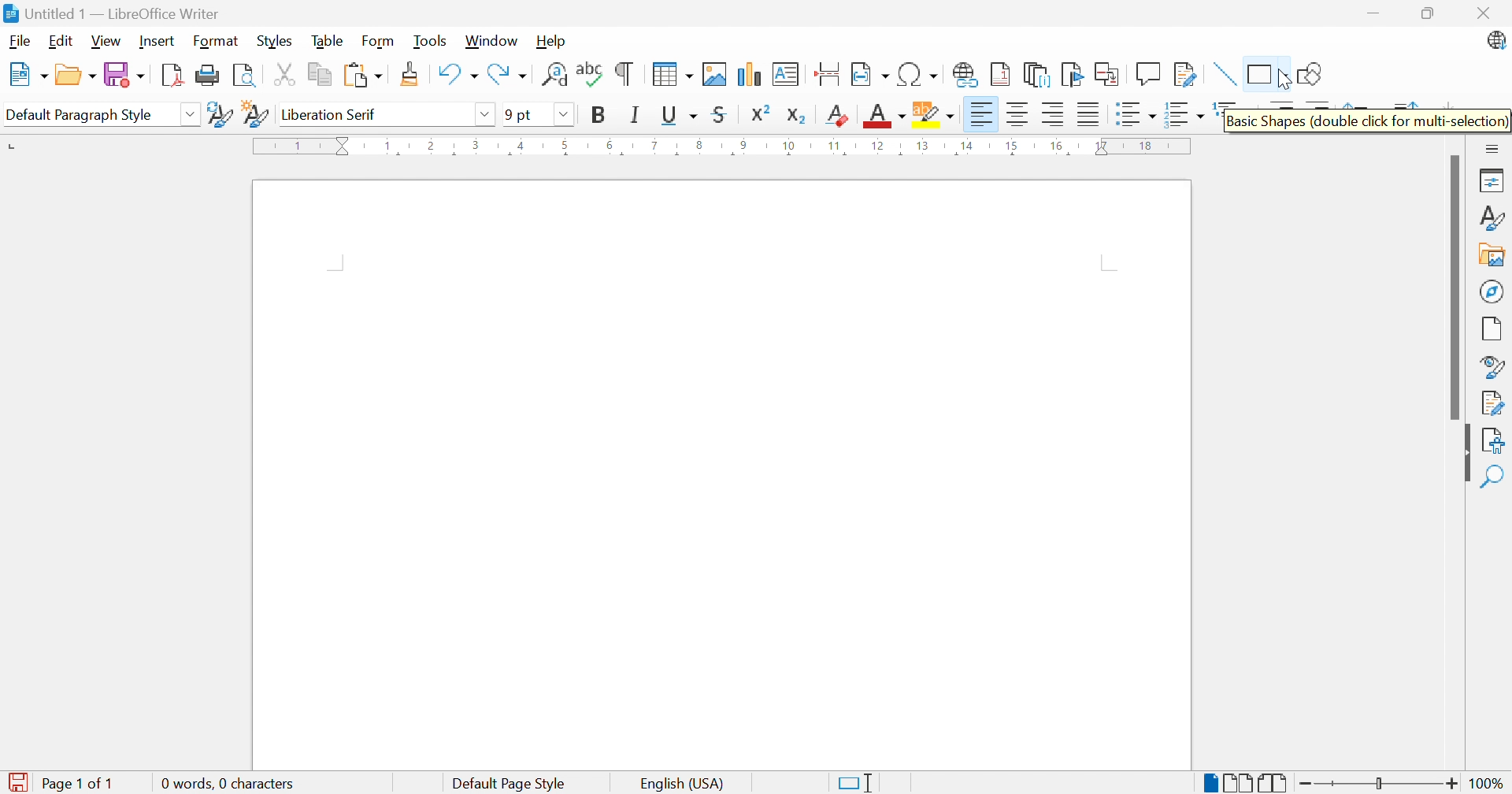 Image resolution: width=1512 pixels, height=794 pixels. I want to click on Style inspector, so click(1494, 368).